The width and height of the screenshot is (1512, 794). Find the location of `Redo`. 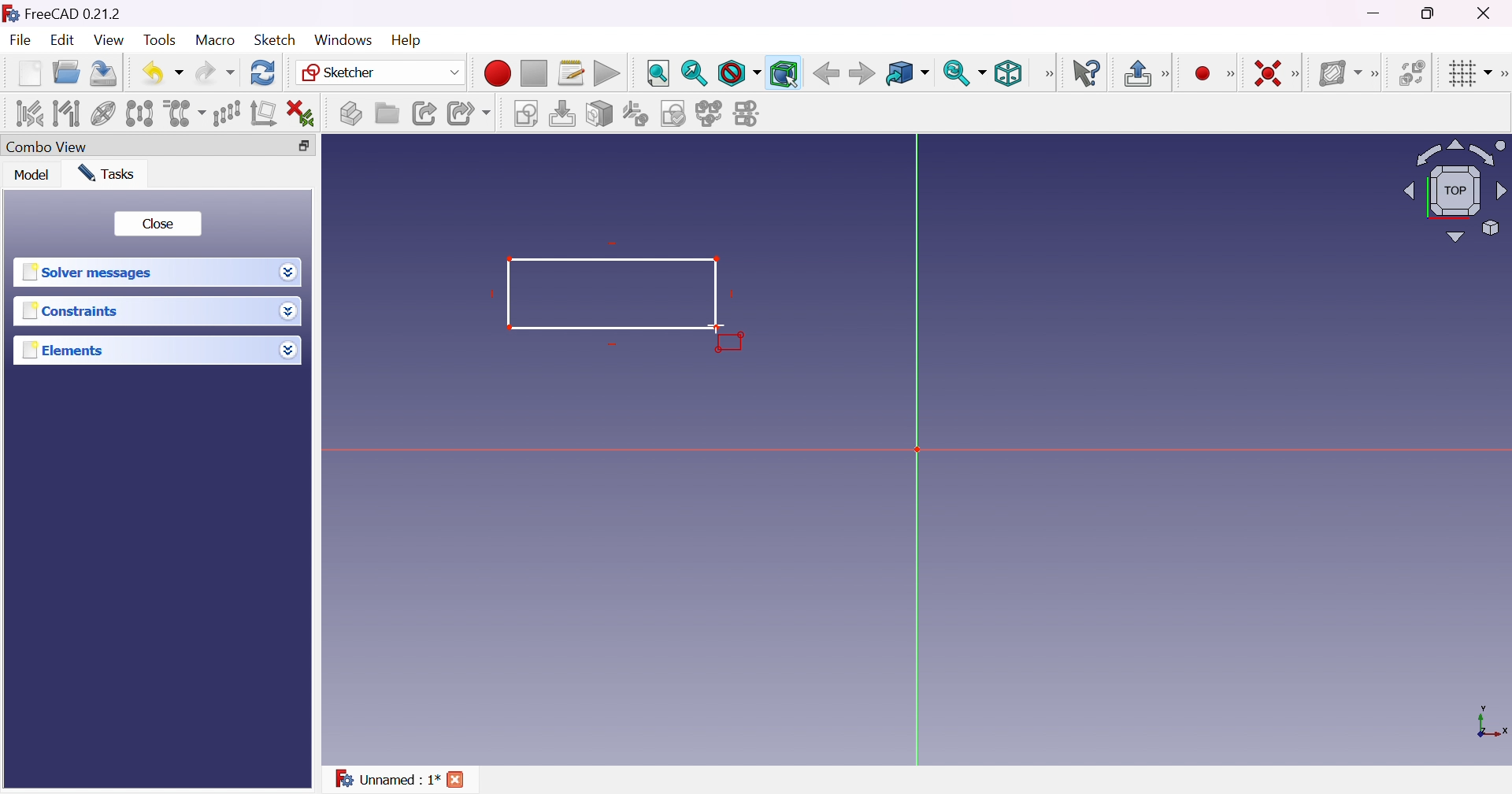

Redo is located at coordinates (216, 74).